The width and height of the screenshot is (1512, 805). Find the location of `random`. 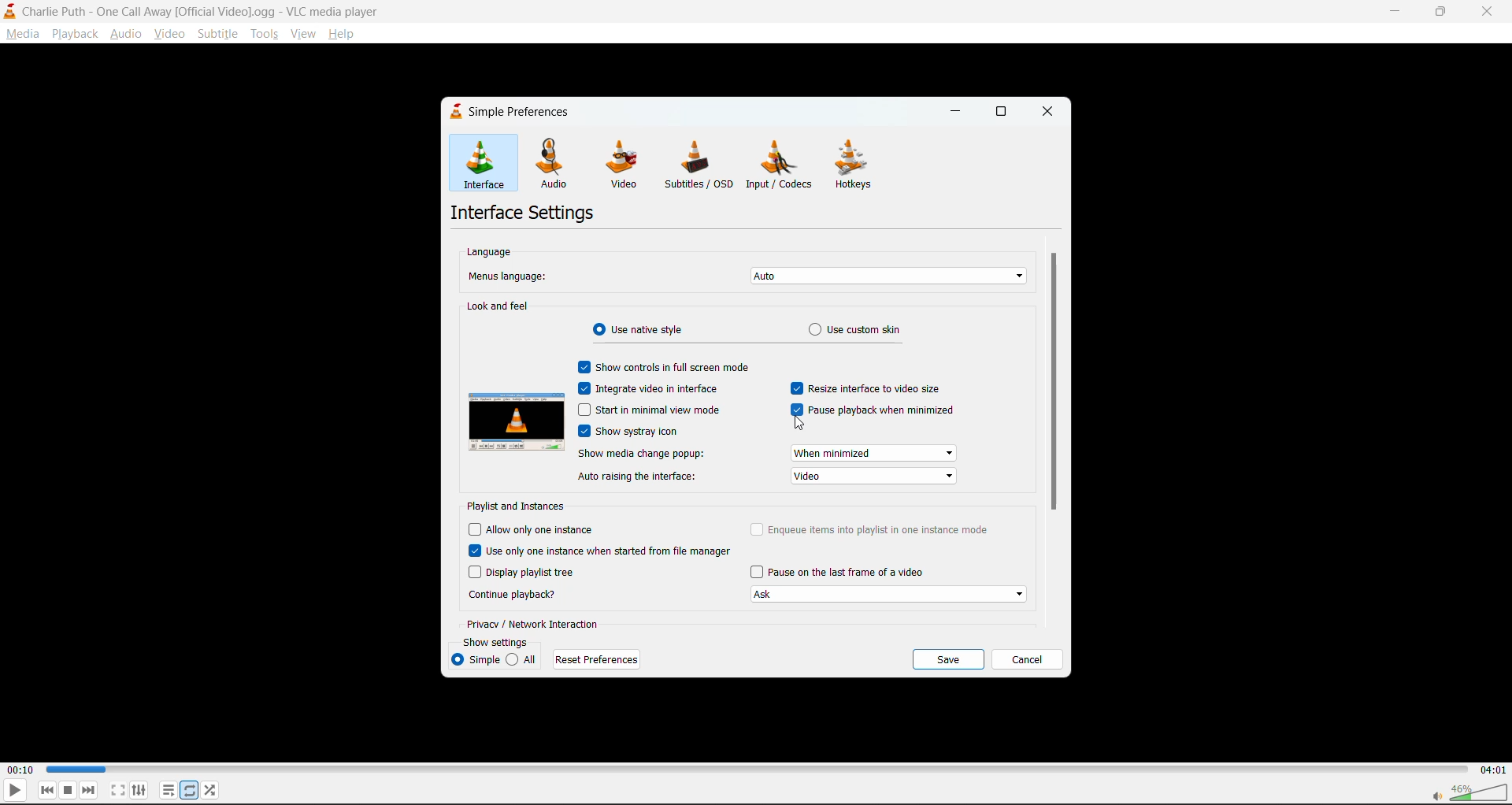

random is located at coordinates (211, 791).